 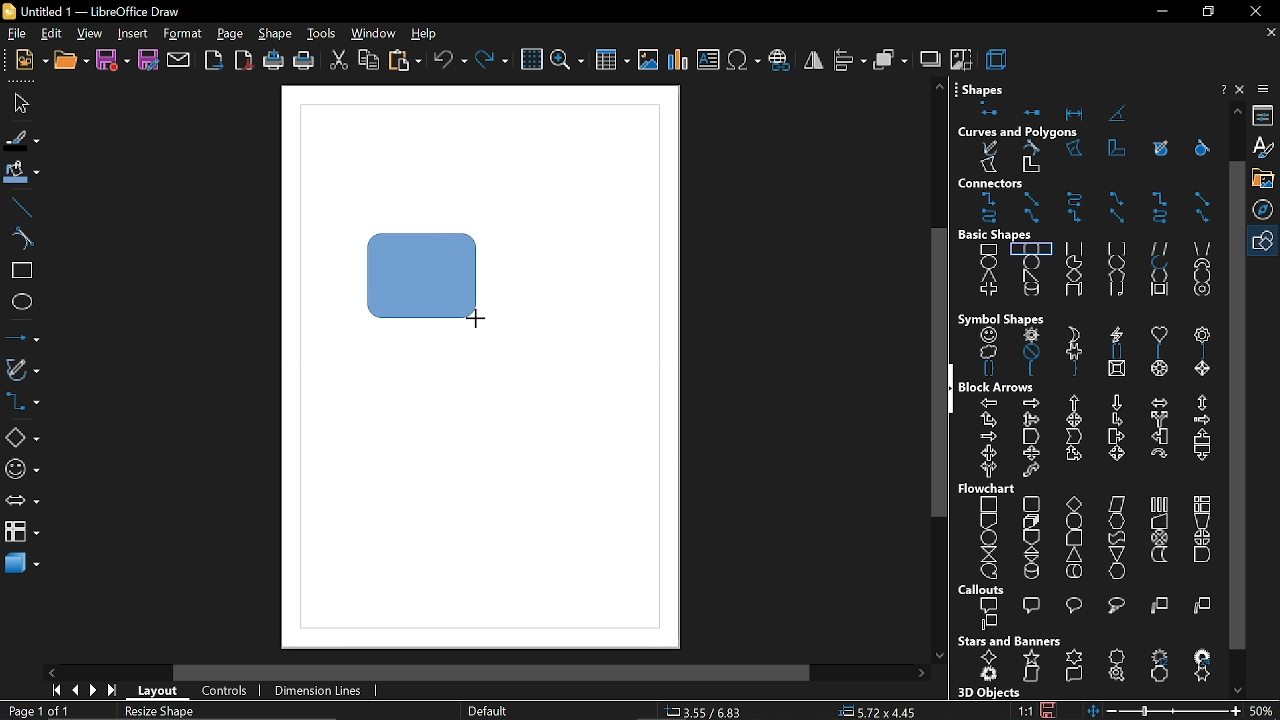 What do you see at coordinates (932, 376) in the screenshot?
I see `vertical scroll bar` at bounding box center [932, 376].